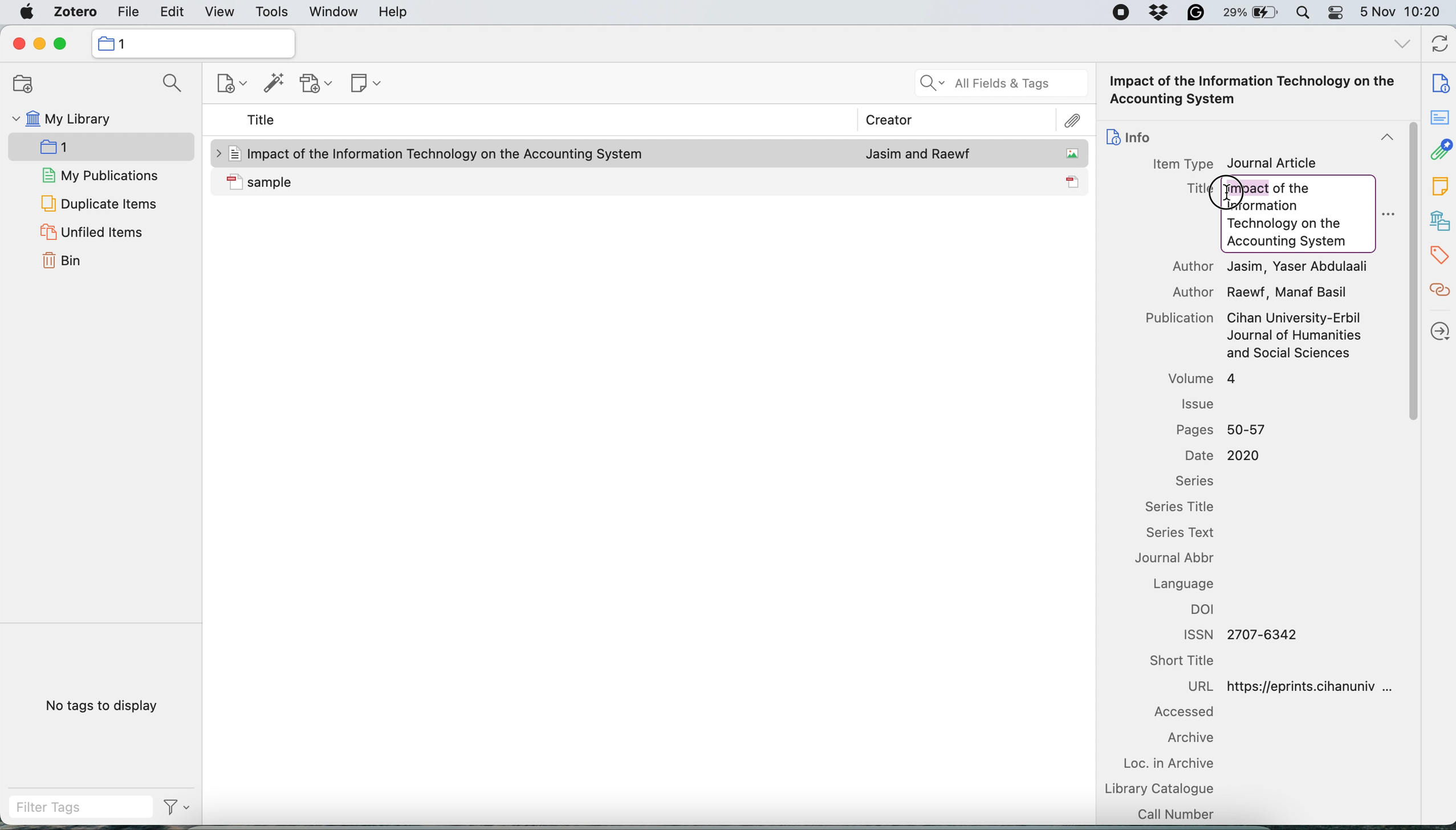 This screenshot has width=1456, height=830. I want to click on title, so click(262, 122).